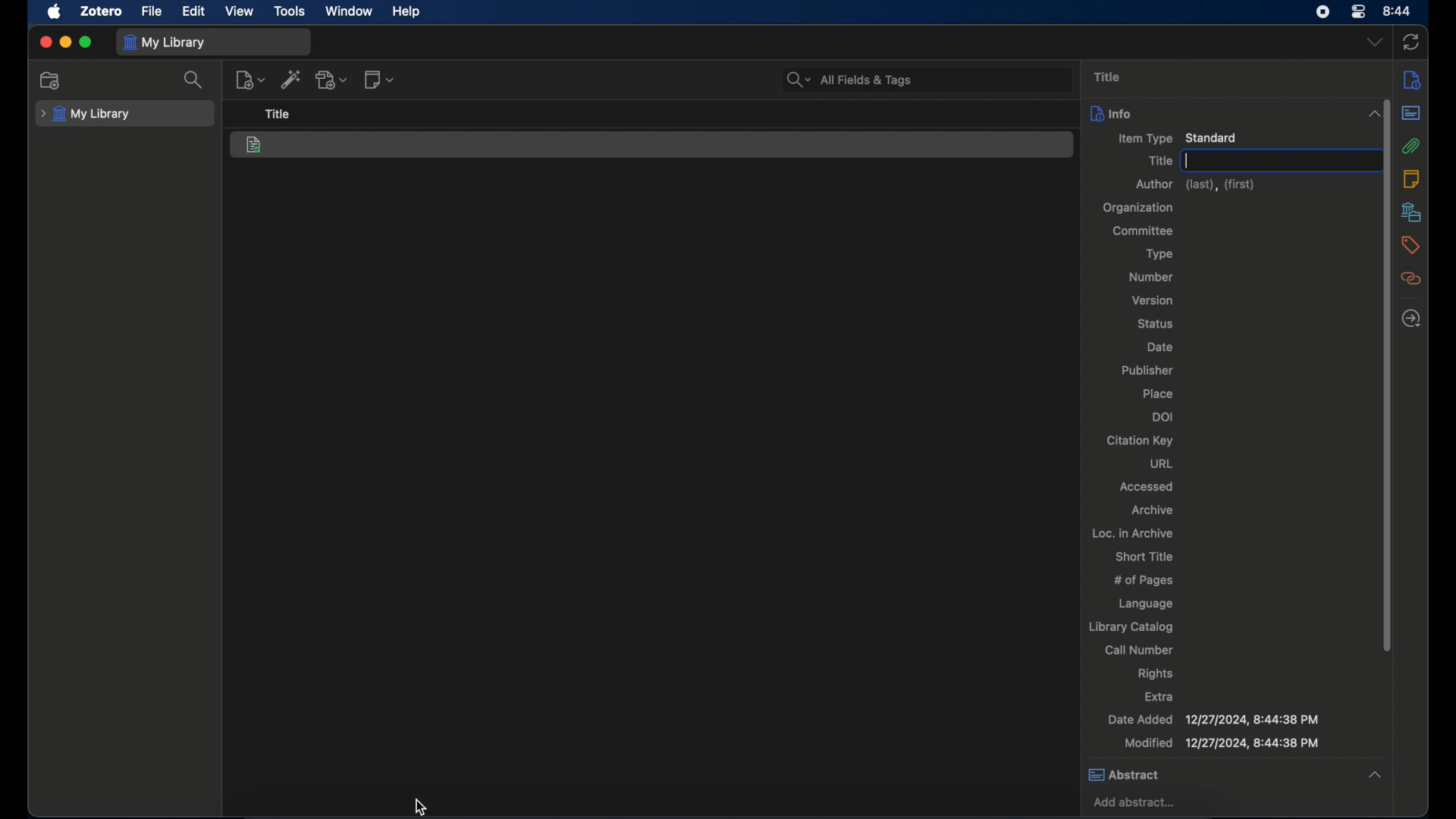  I want to click on help, so click(408, 12).